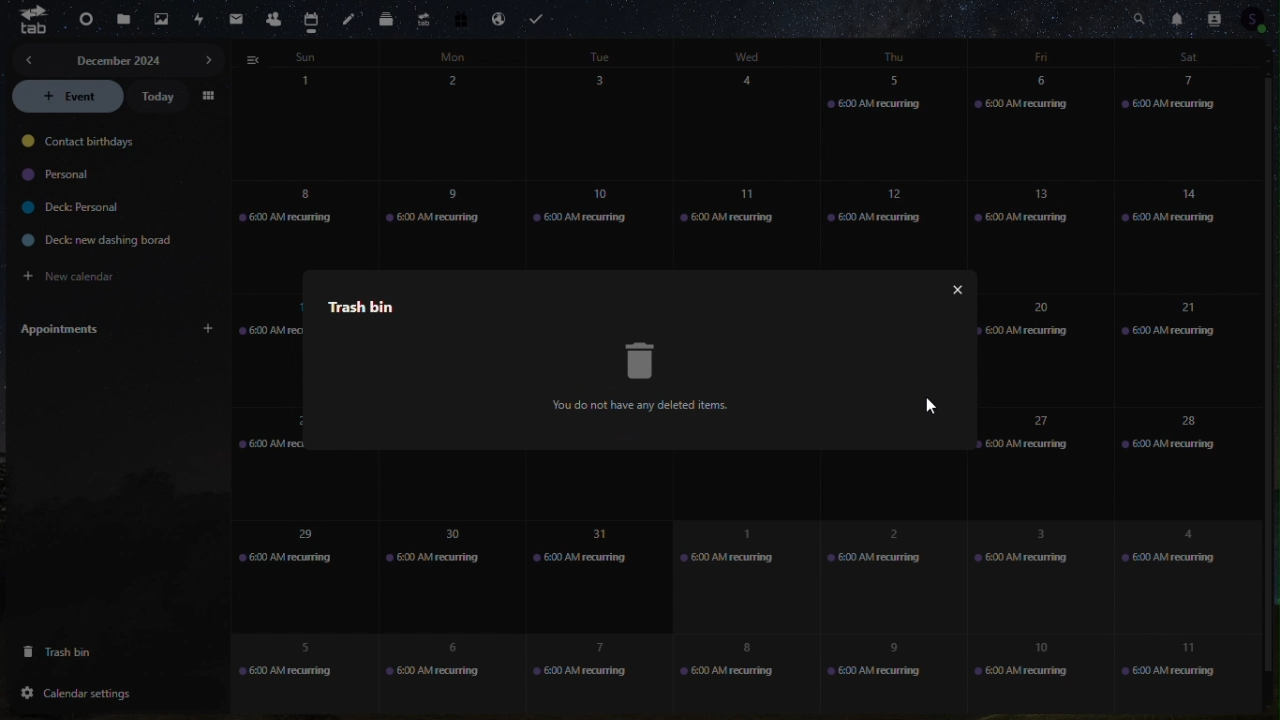 This screenshot has height=720, width=1280. What do you see at coordinates (739, 212) in the screenshot?
I see `11` at bounding box center [739, 212].